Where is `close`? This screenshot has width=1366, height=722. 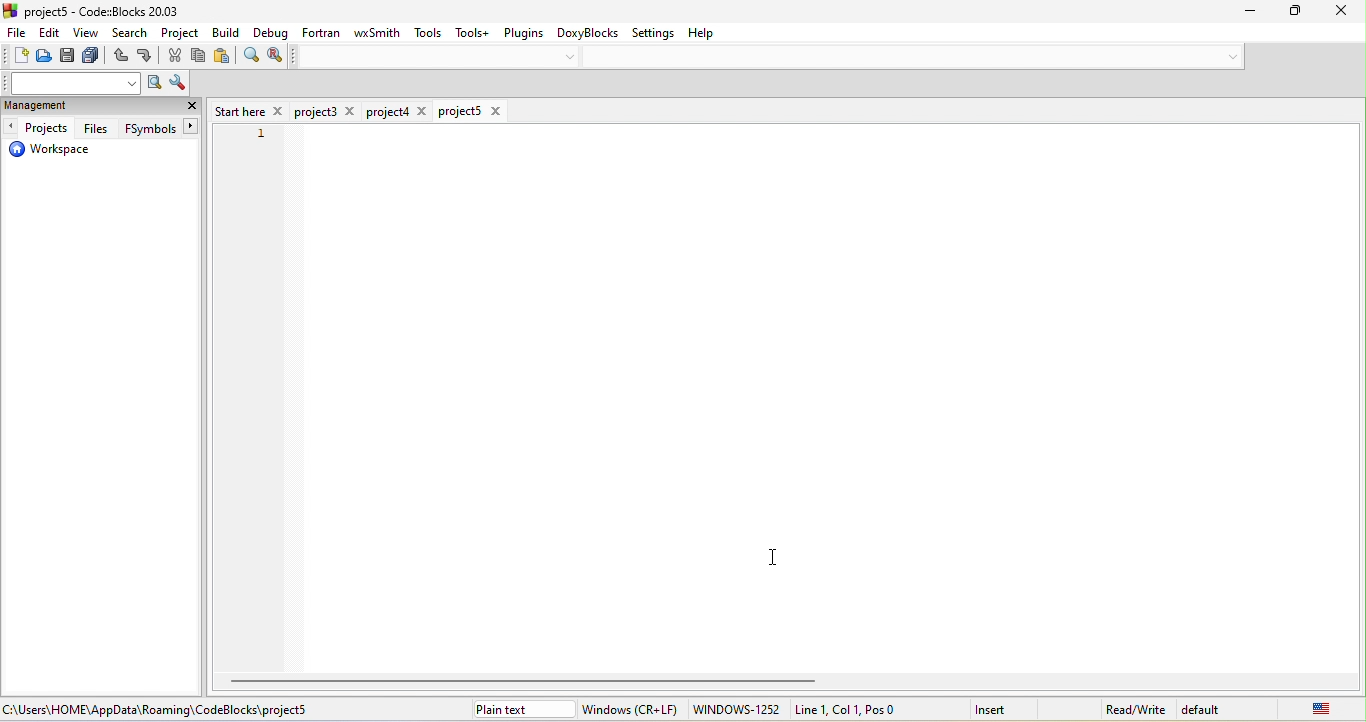
close is located at coordinates (1333, 10).